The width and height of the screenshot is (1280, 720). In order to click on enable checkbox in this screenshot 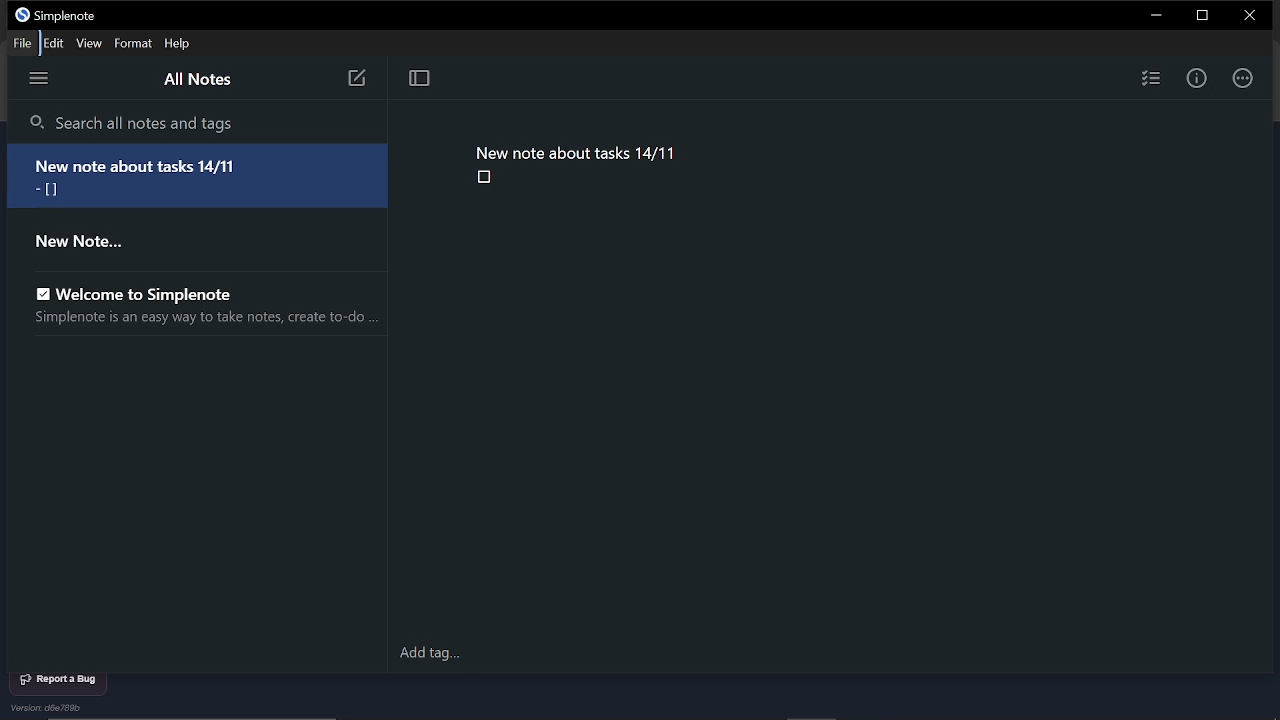, I will do `click(37, 289)`.